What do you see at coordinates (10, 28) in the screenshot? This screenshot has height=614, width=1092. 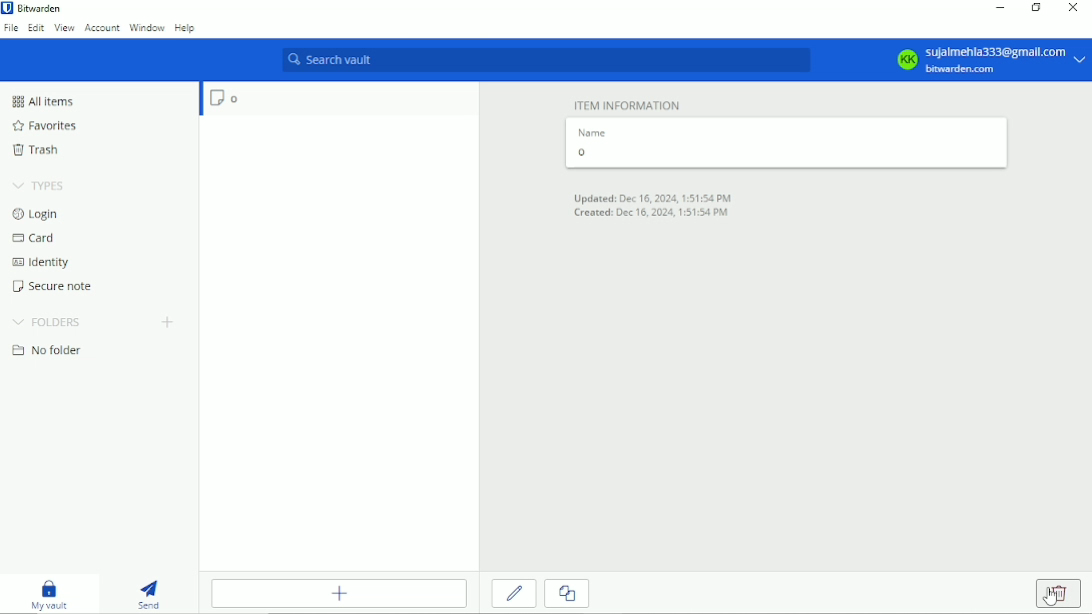 I see `File` at bounding box center [10, 28].